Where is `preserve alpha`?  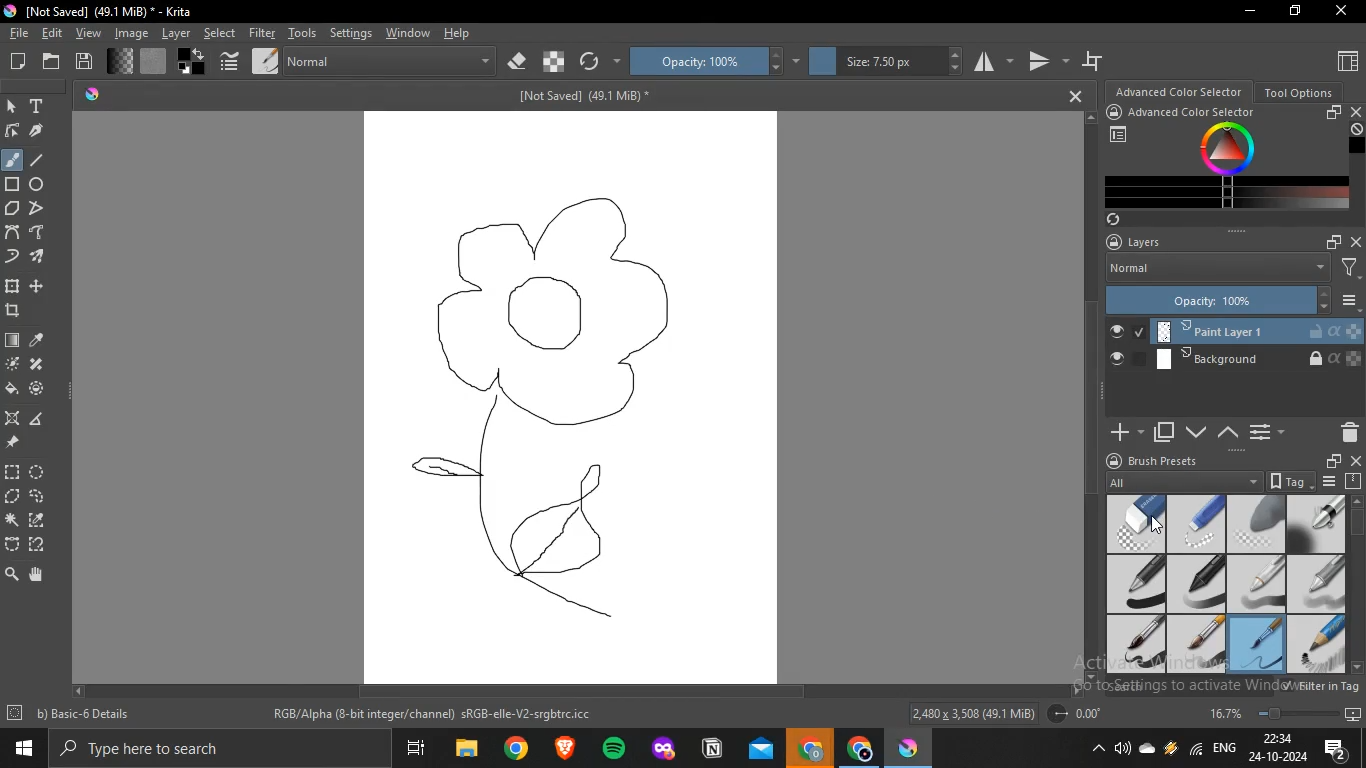 preserve alpha is located at coordinates (555, 62).